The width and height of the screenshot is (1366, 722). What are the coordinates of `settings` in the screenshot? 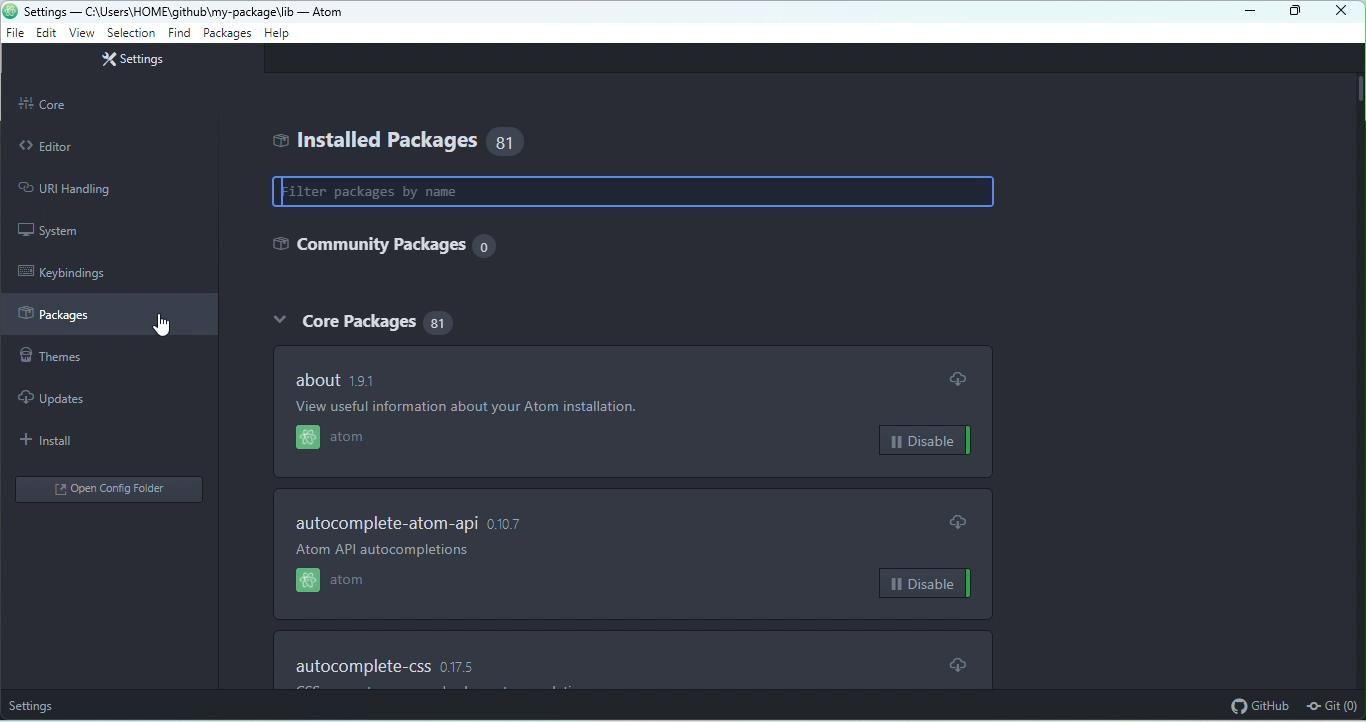 It's located at (131, 61).